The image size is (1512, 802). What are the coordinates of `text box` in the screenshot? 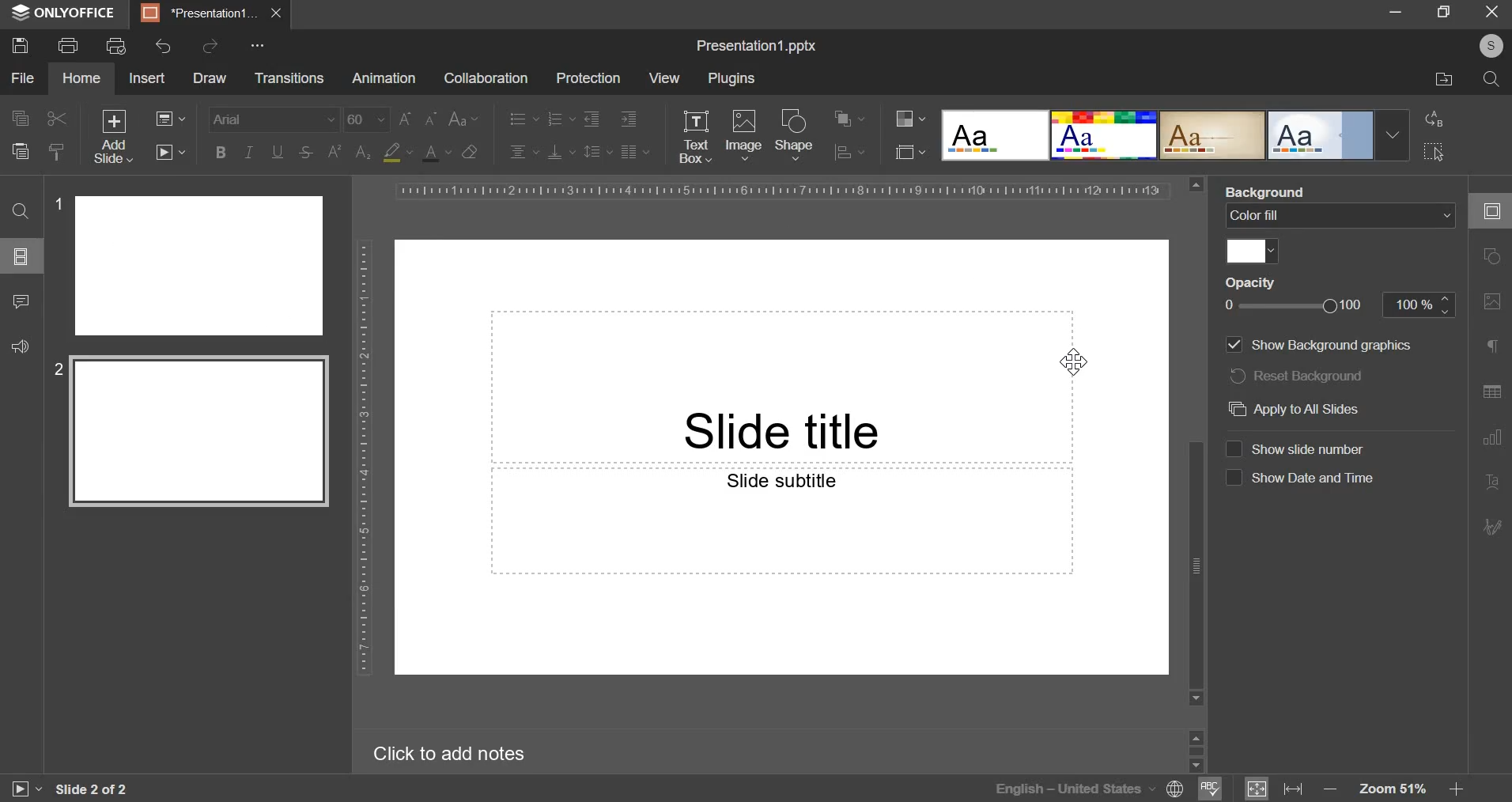 It's located at (694, 137).